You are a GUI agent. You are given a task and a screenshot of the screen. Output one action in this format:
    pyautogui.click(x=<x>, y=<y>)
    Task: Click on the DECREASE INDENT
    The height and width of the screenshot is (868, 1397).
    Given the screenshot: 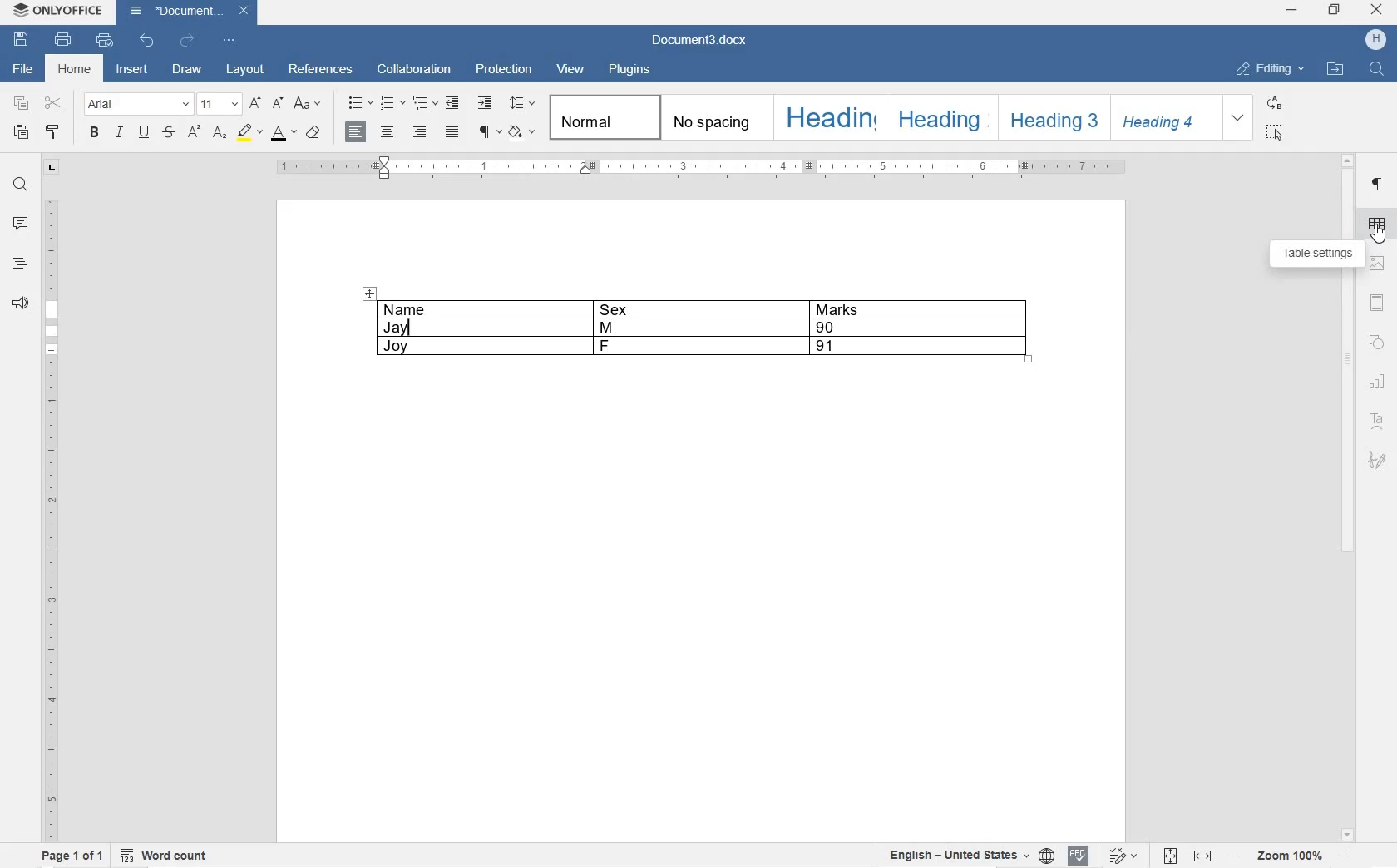 What is the action you would take?
    pyautogui.click(x=452, y=103)
    